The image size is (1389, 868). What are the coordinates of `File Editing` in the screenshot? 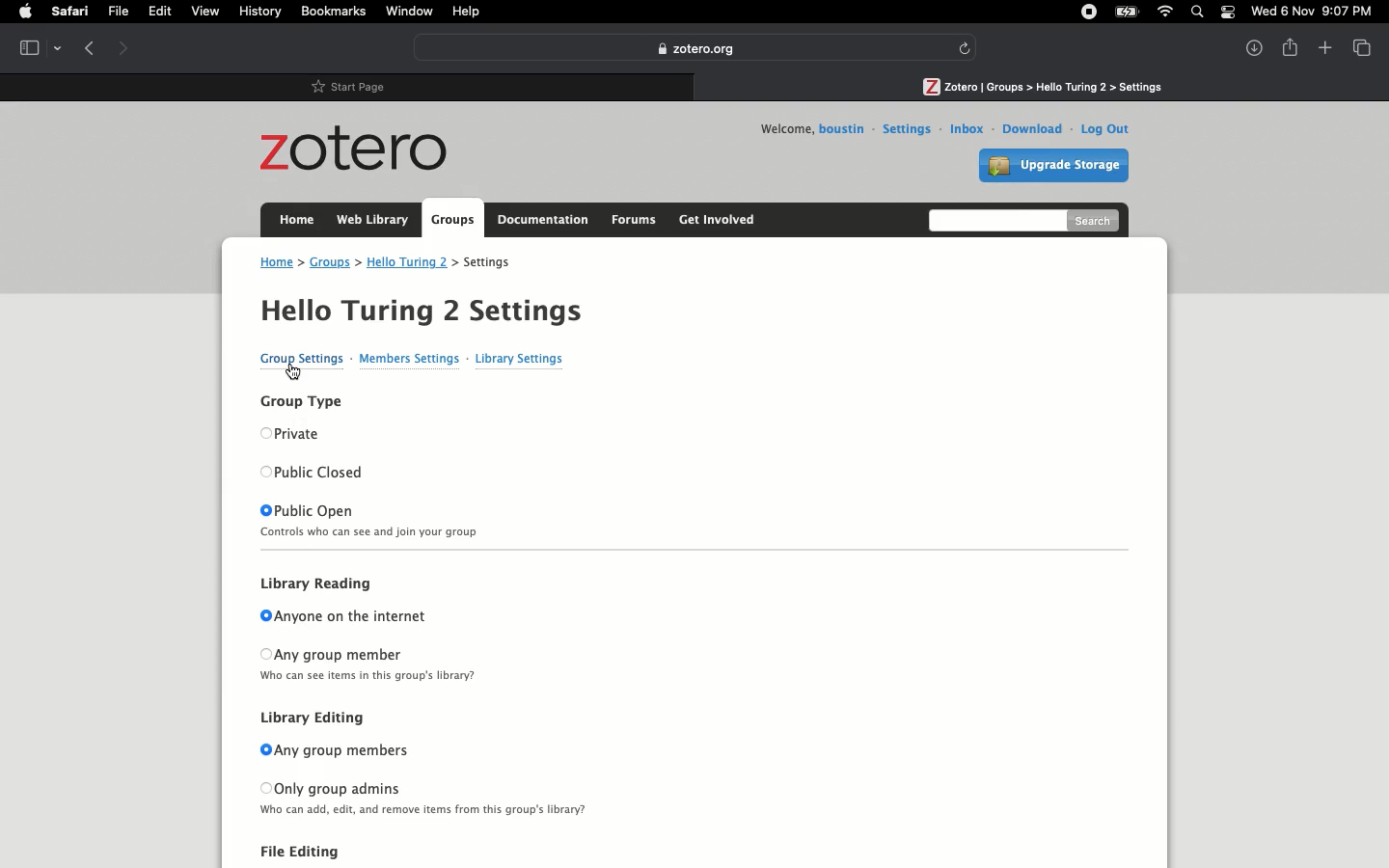 It's located at (303, 853).